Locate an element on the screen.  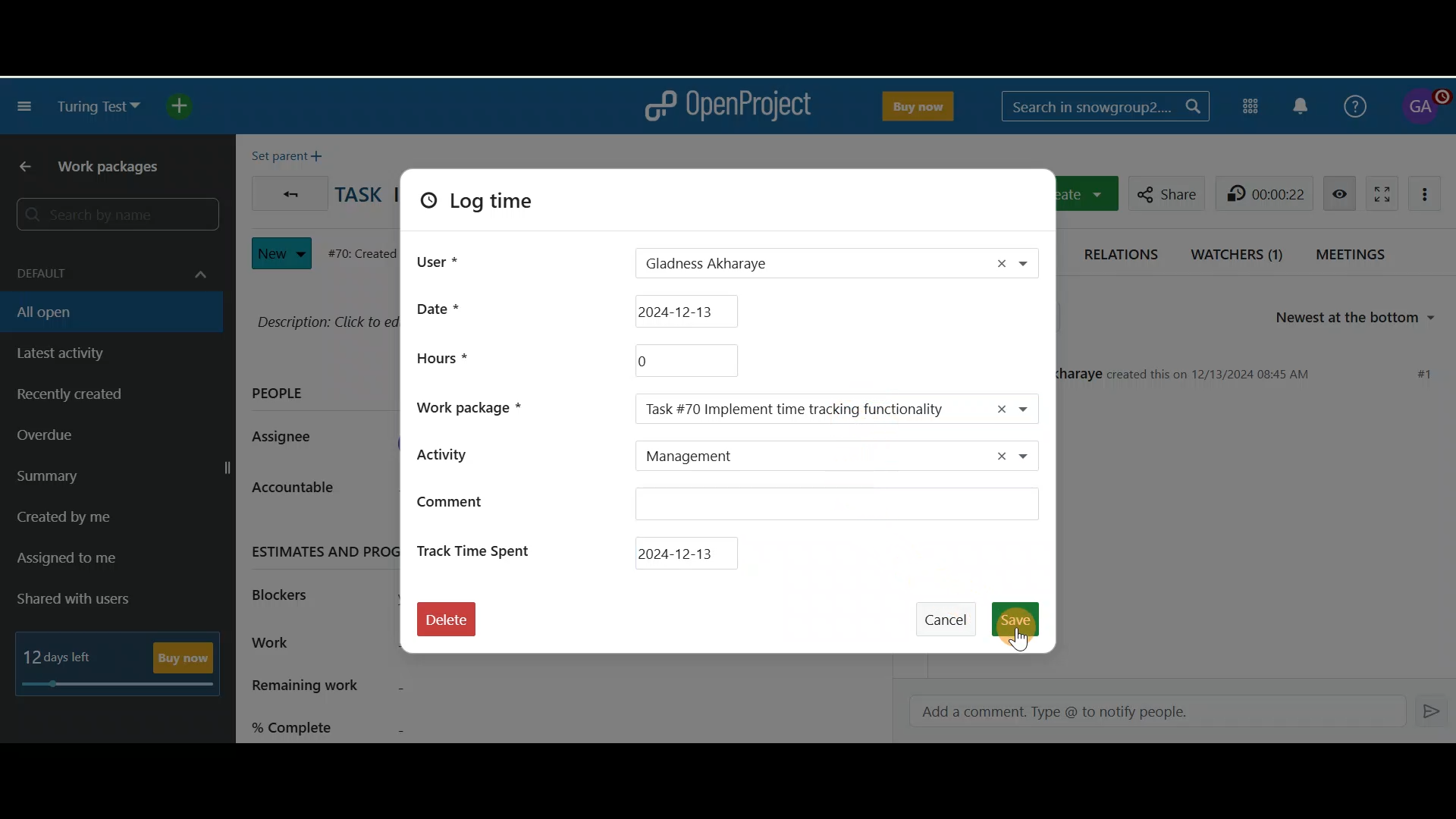
Description: Click to edit... is located at coordinates (324, 320).